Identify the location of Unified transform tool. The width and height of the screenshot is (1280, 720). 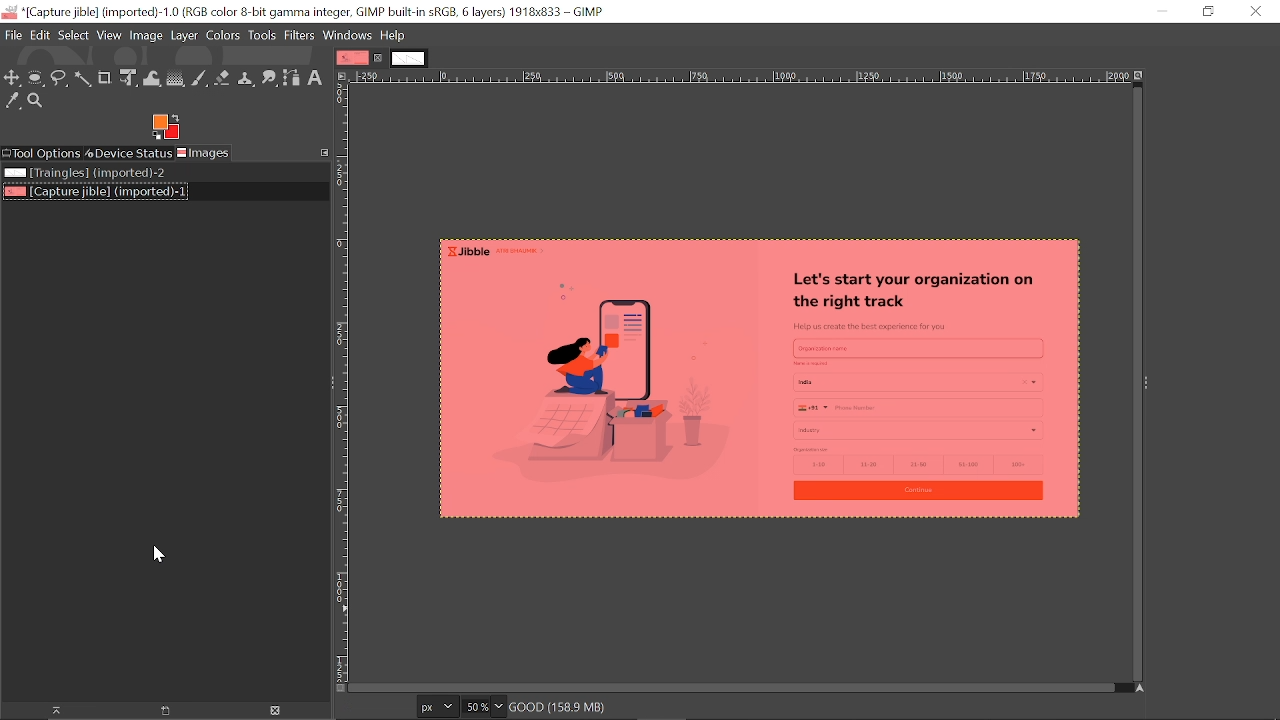
(128, 78).